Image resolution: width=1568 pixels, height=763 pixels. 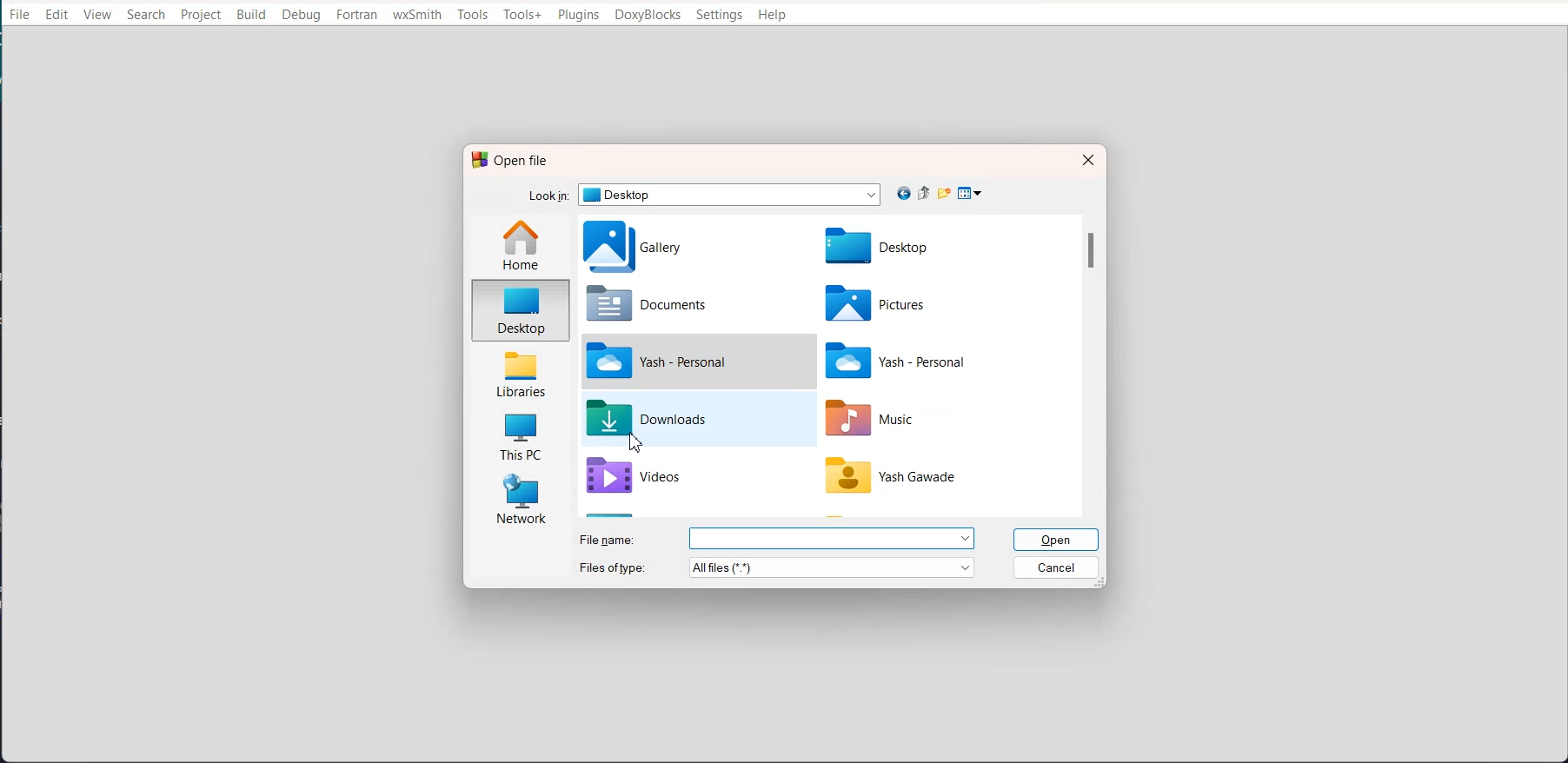 I want to click on Downloads, so click(x=686, y=419).